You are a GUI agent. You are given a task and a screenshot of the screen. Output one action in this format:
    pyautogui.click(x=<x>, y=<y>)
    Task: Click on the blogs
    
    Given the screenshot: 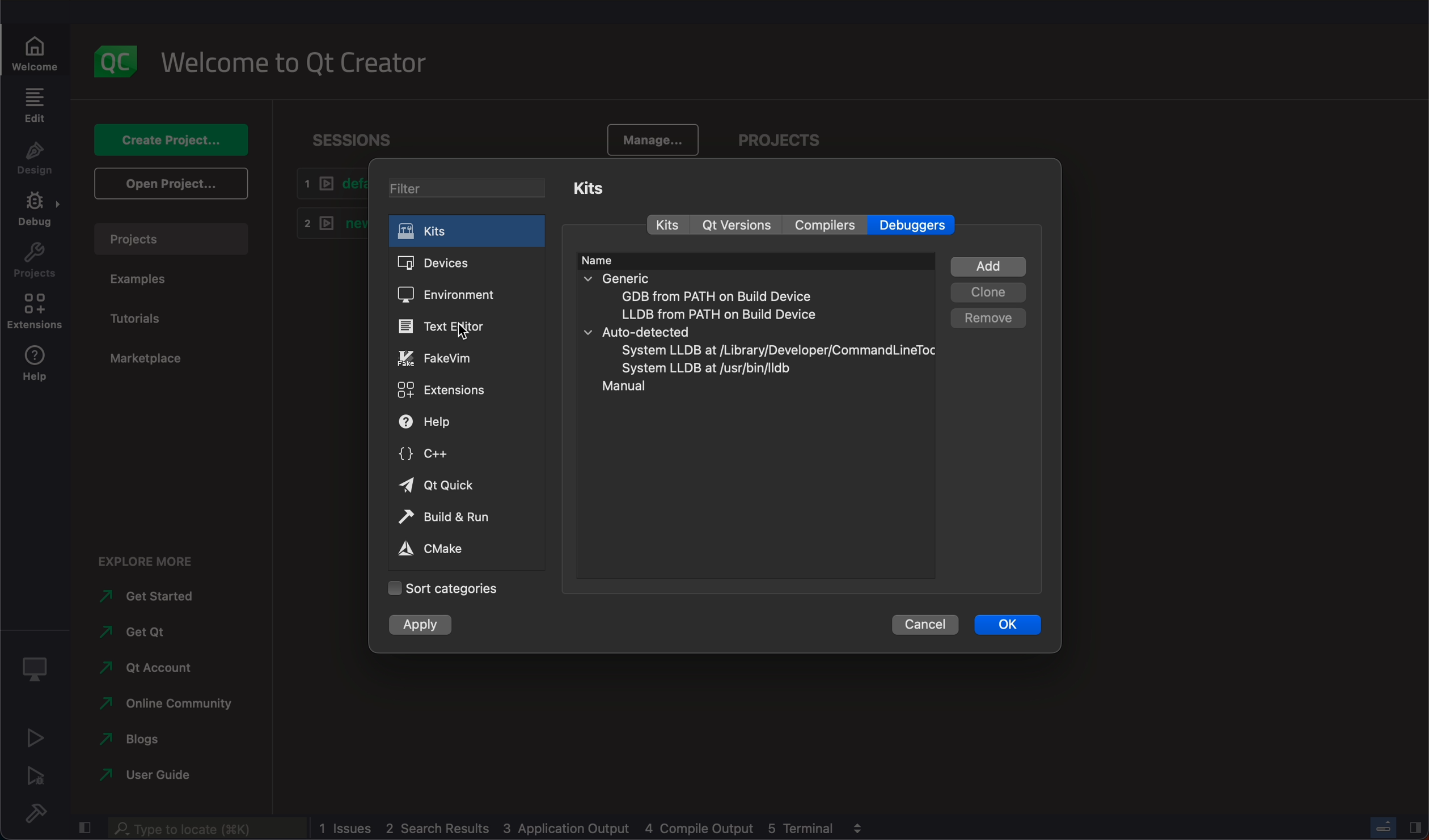 What is the action you would take?
    pyautogui.click(x=130, y=740)
    